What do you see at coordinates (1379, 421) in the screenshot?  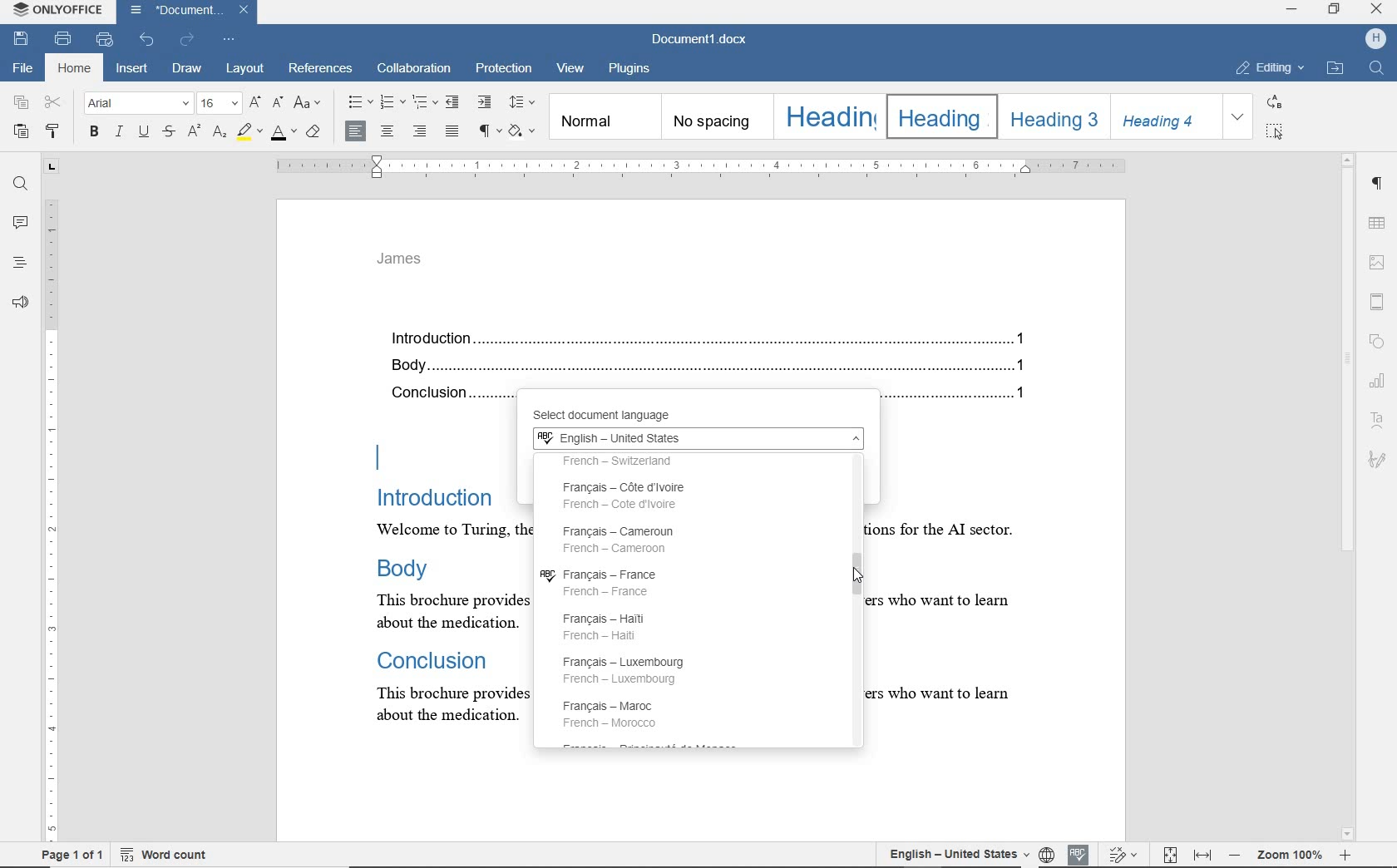 I see `Text Art` at bounding box center [1379, 421].